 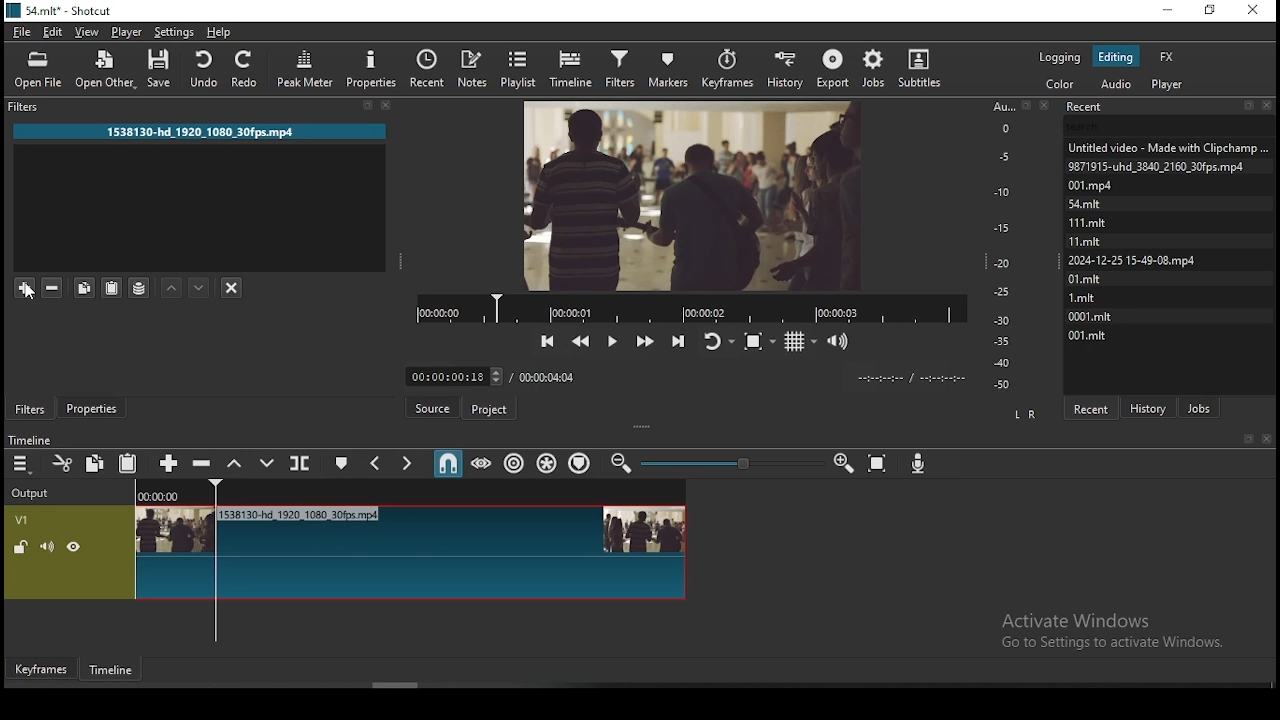 What do you see at coordinates (246, 71) in the screenshot?
I see `redo` at bounding box center [246, 71].